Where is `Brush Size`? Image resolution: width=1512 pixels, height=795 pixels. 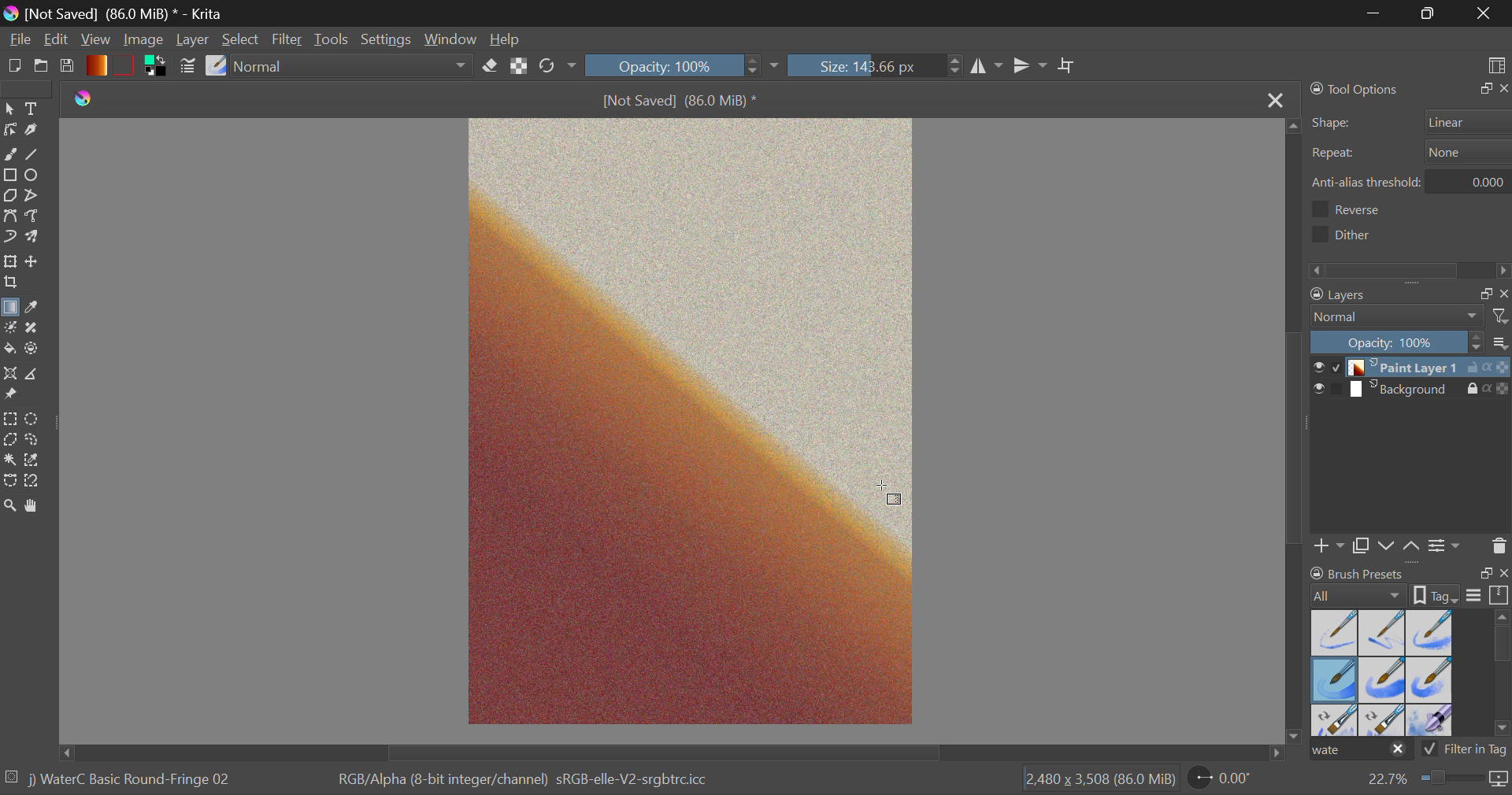 Brush Size is located at coordinates (878, 66).